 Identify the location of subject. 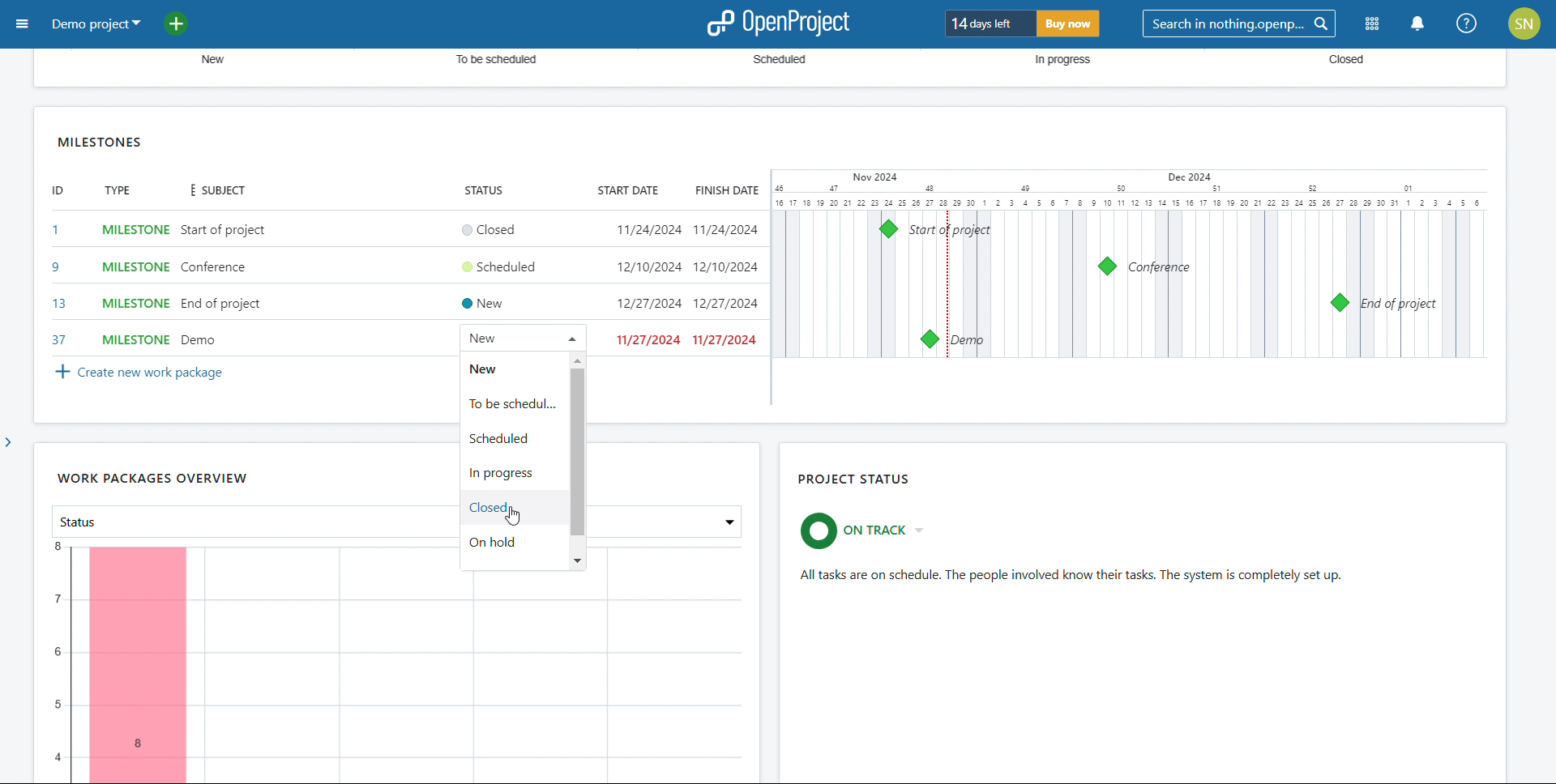
(213, 190).